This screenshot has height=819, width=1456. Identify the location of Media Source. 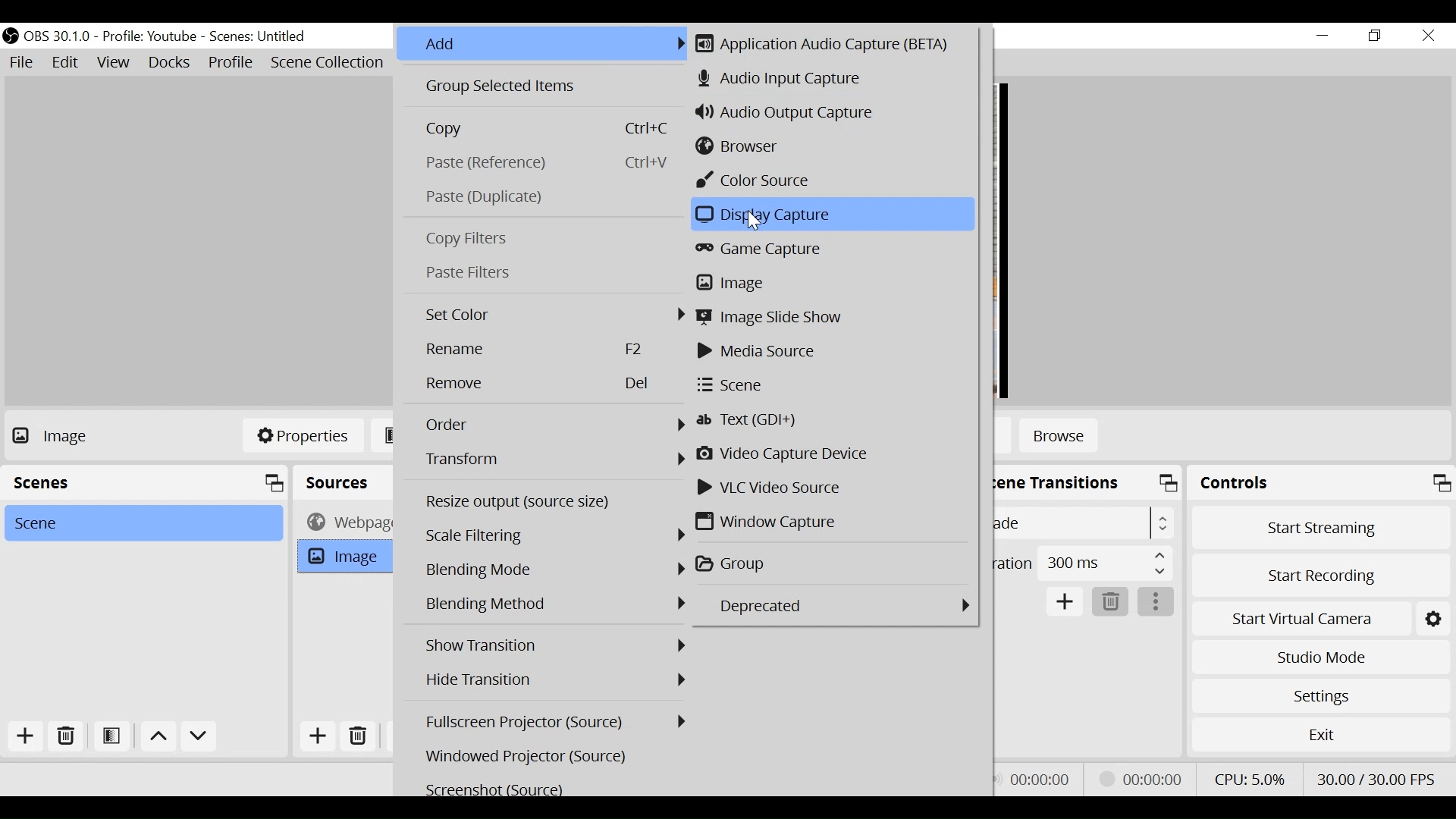
(831, 352).